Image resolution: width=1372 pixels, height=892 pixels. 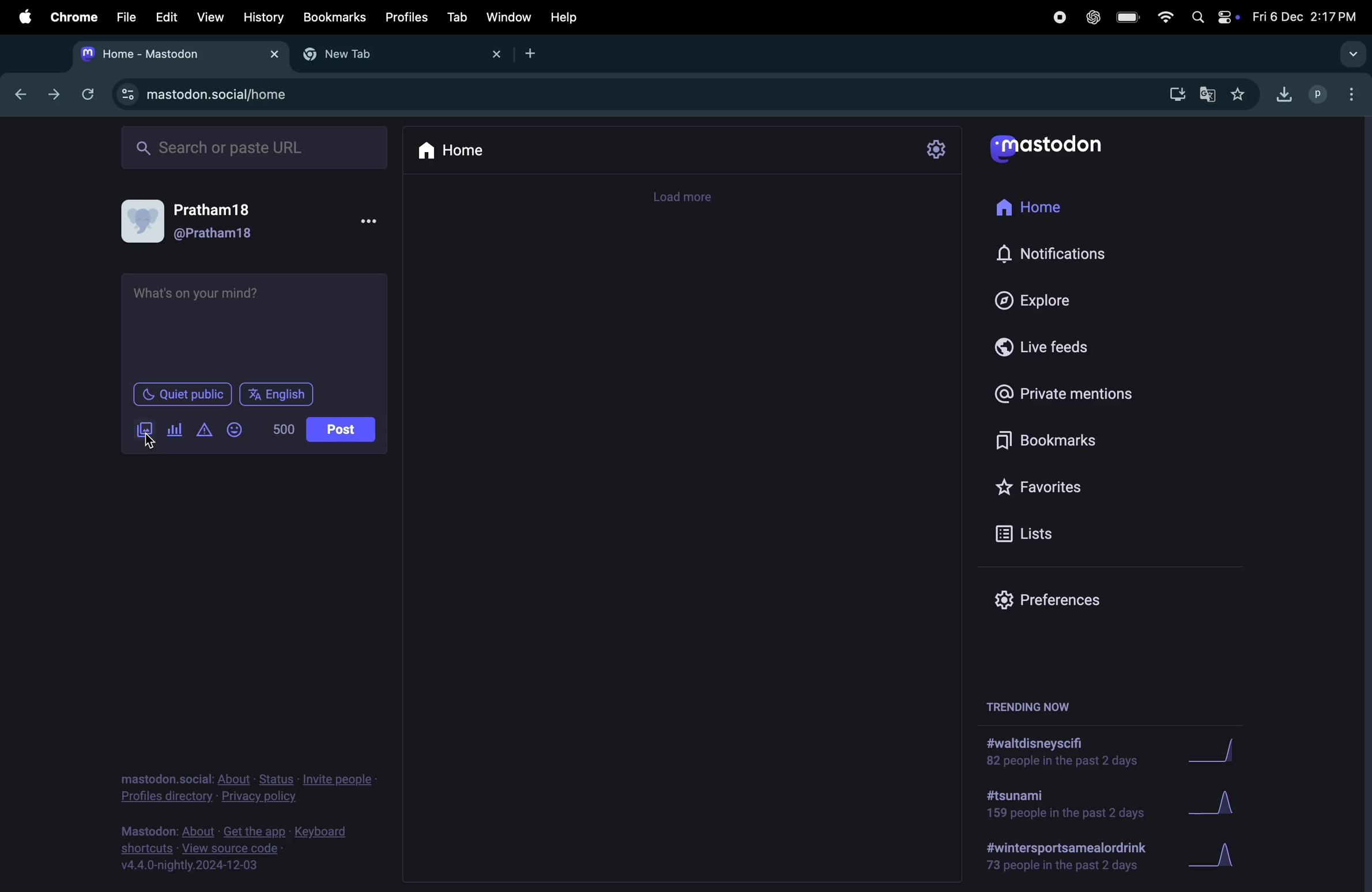 What do you see at coordinates (208, 16) in the screenshot?
I see `view` at bounding box center [208, 16].